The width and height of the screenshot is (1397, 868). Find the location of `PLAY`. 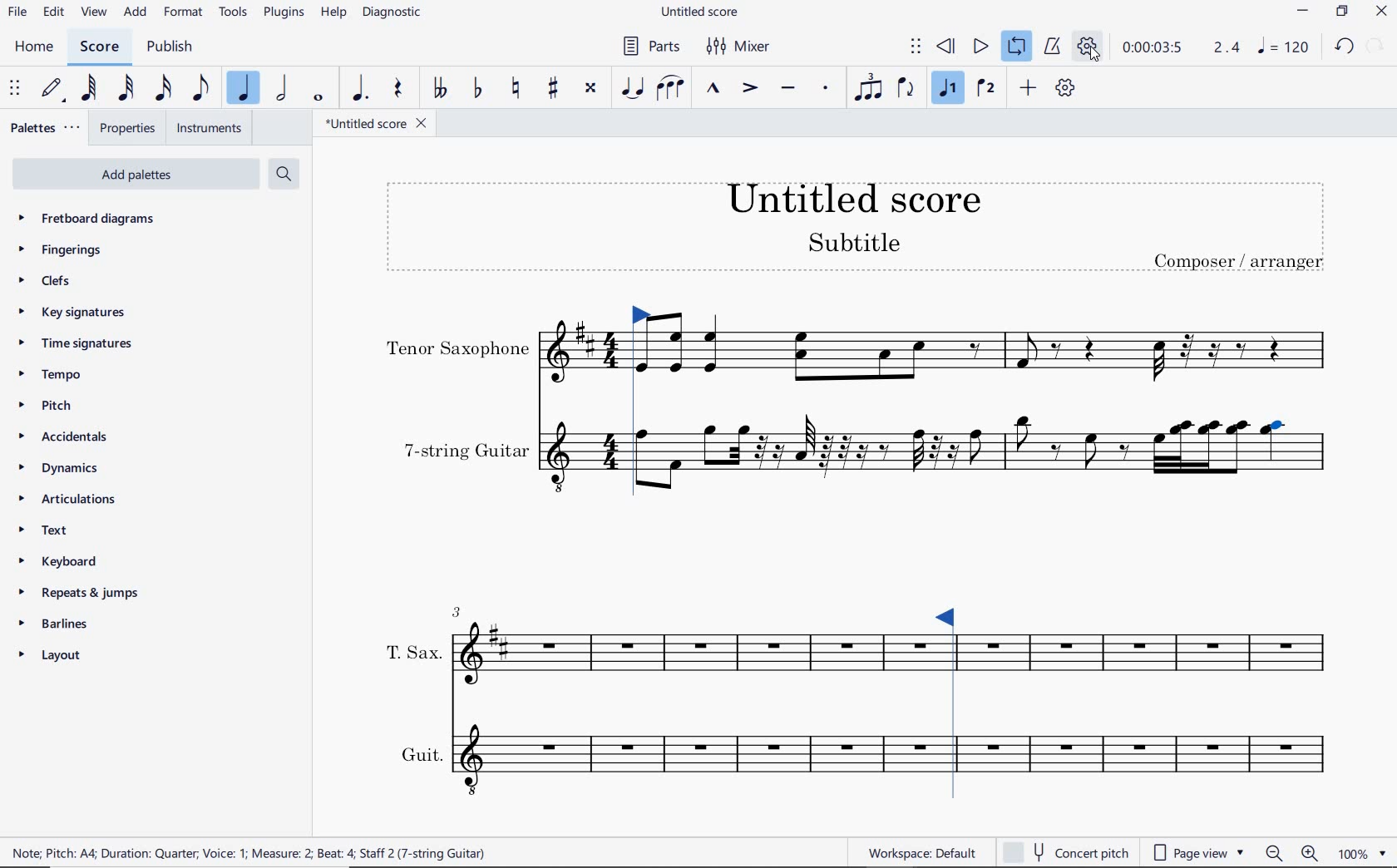

PLAY is located at coordinates (980, 47).